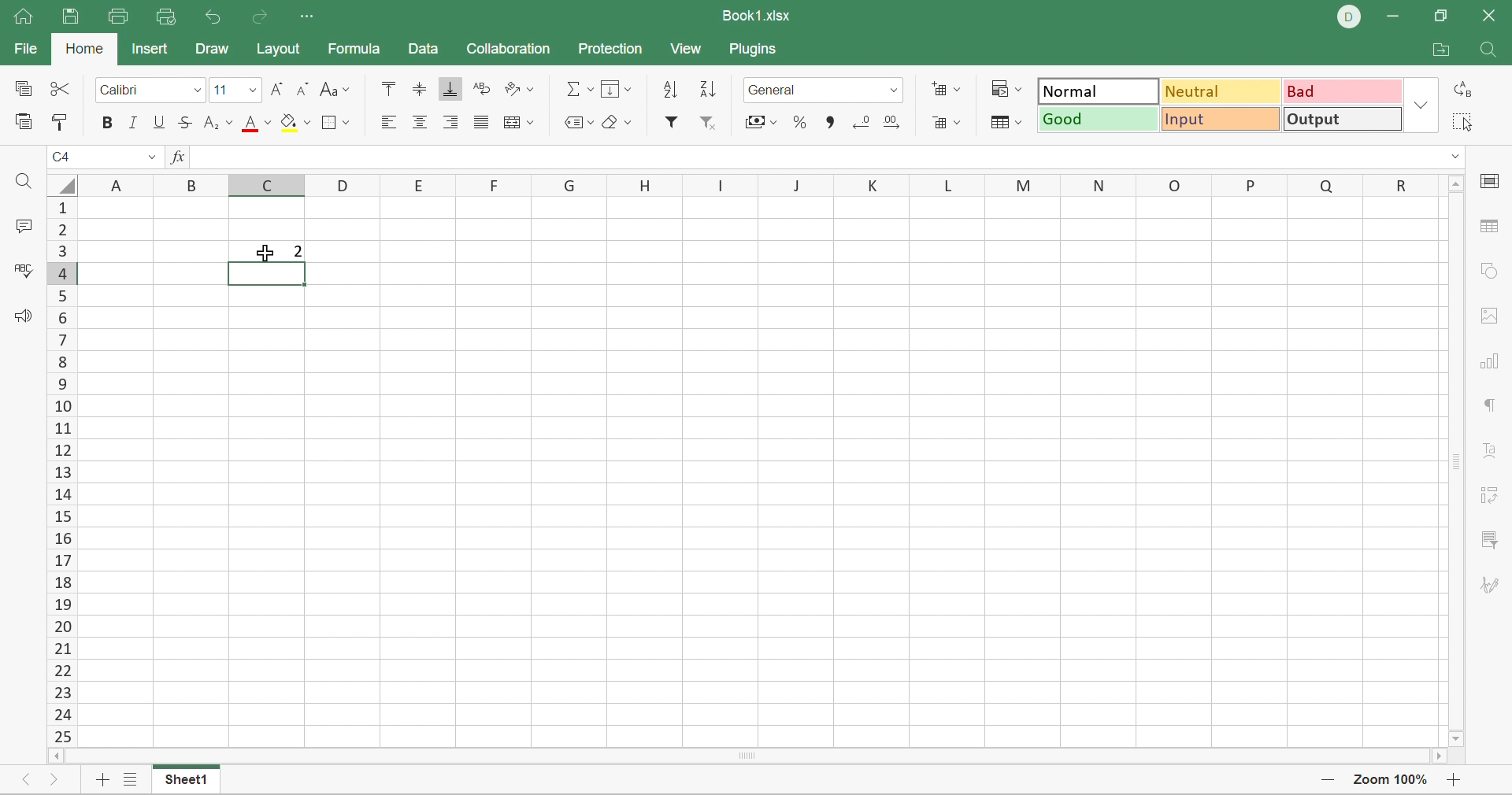 This screenshot has height=795, width=1512. What do you see at coordinates (1095, 120) in the screenshot?
I see `Good` at bounding box center [1095, 120].